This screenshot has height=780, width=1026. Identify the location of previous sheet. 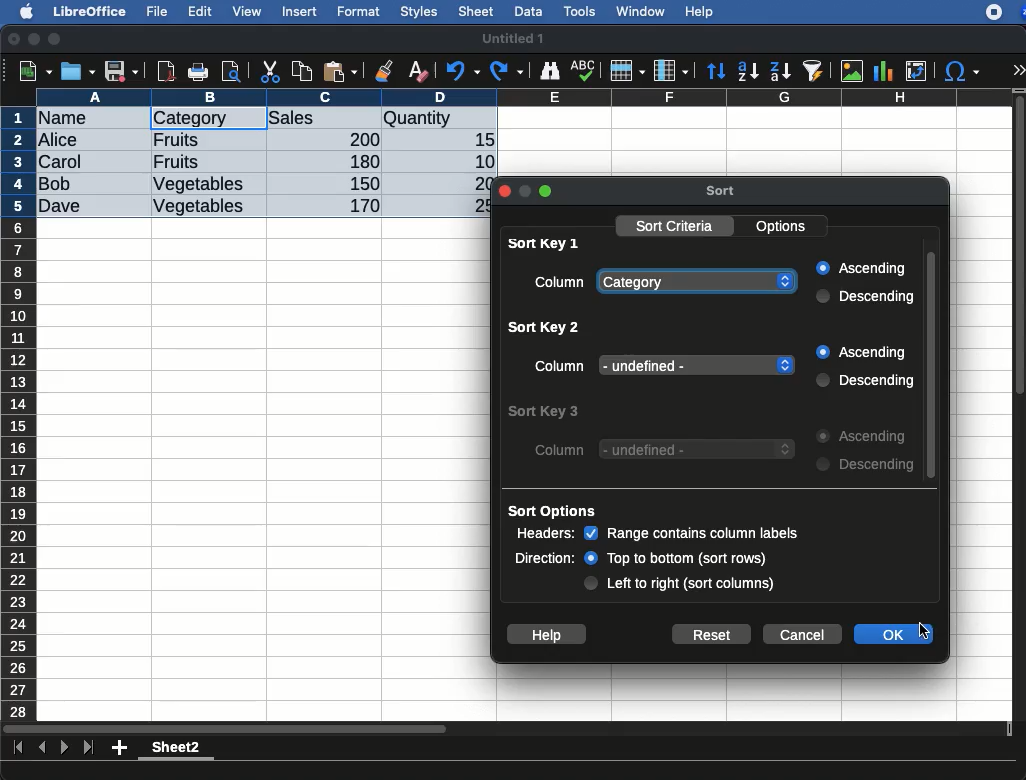
(44, 748).